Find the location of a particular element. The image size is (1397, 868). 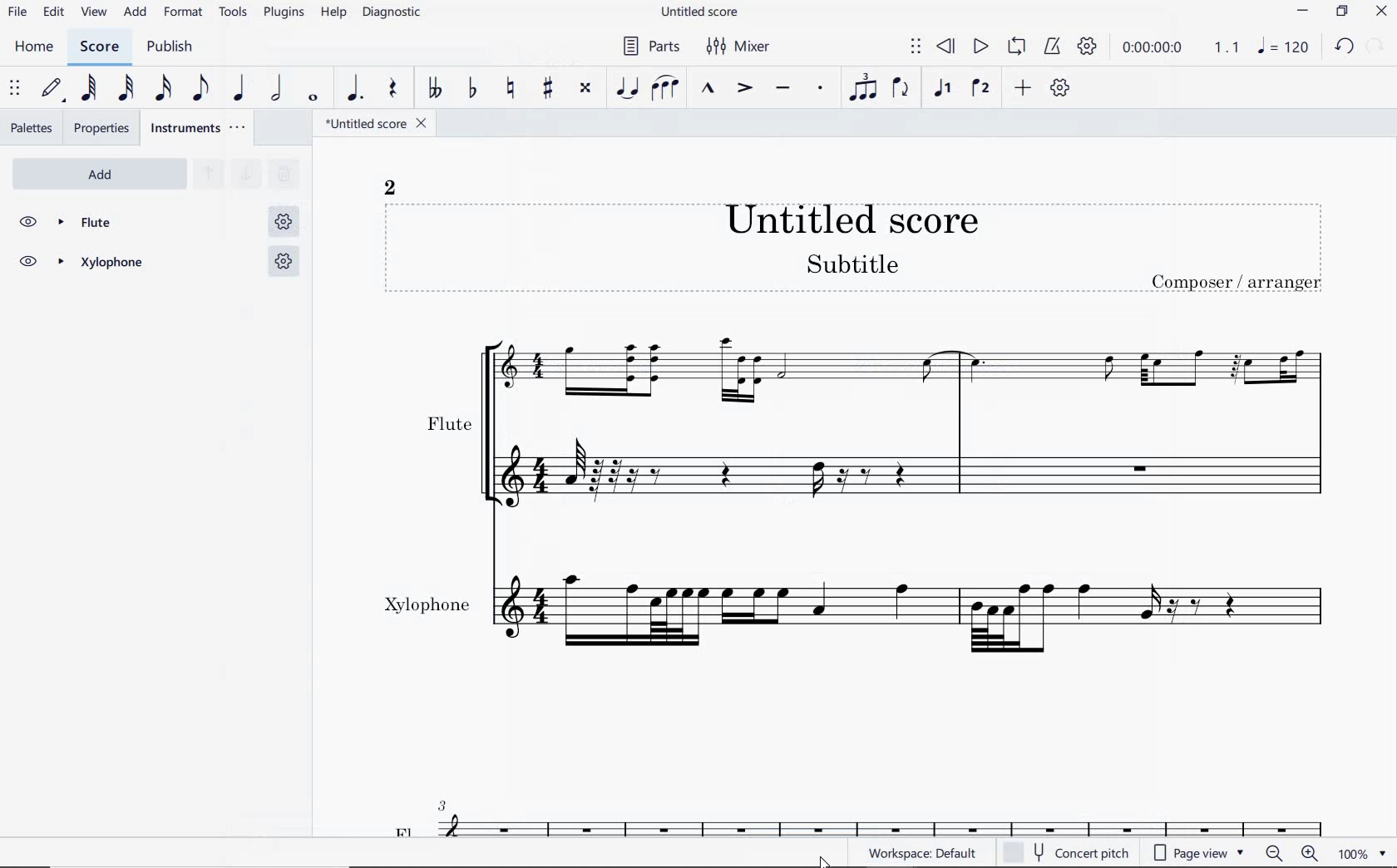

PLAYBACK SETTINGS is located at coordinates (1087, 47).